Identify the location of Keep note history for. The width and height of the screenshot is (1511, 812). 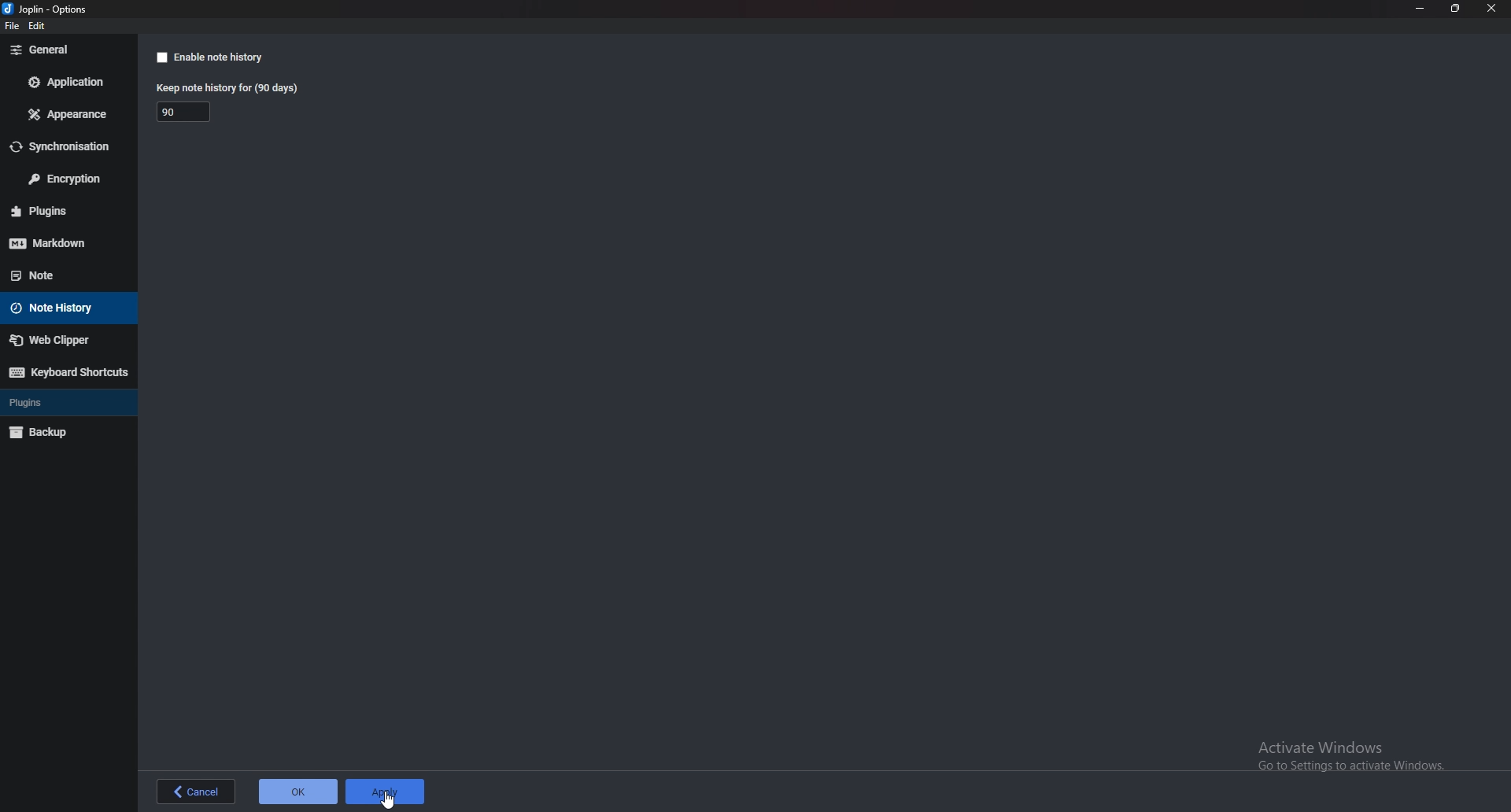
(187, 111).